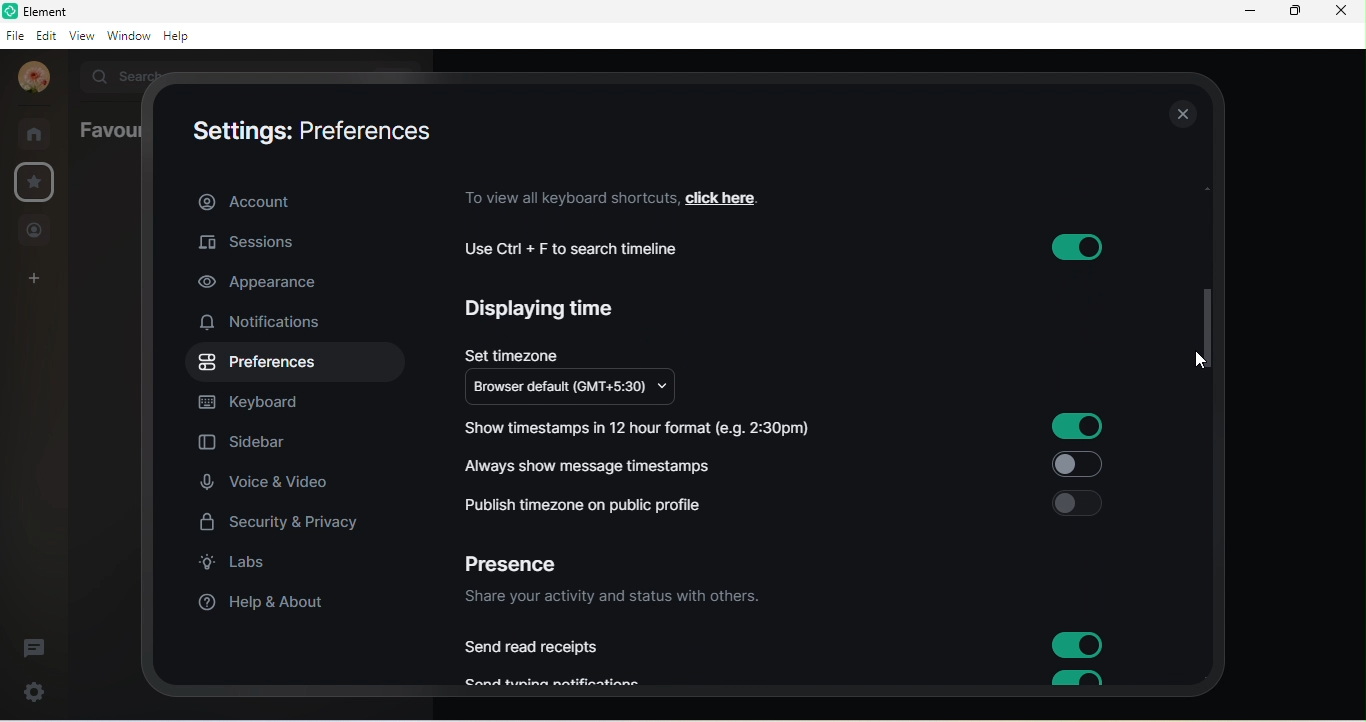  What do you see at coordinates (522, 559) in the screenshot?
I see `presence` at bounding box center [522, 559].